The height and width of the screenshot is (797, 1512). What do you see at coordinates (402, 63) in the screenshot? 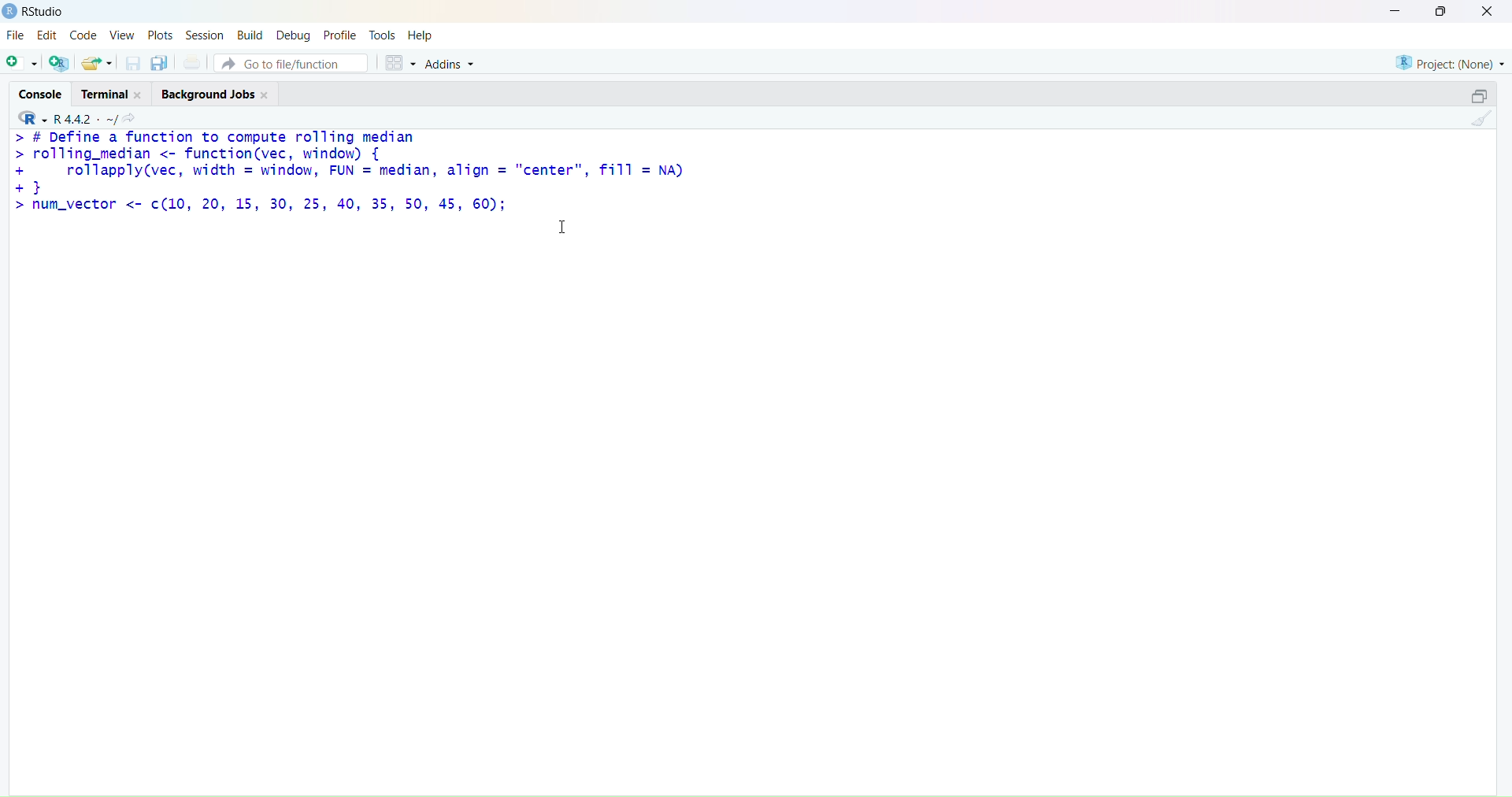
I see `grid` at bounding box center [402, 63].